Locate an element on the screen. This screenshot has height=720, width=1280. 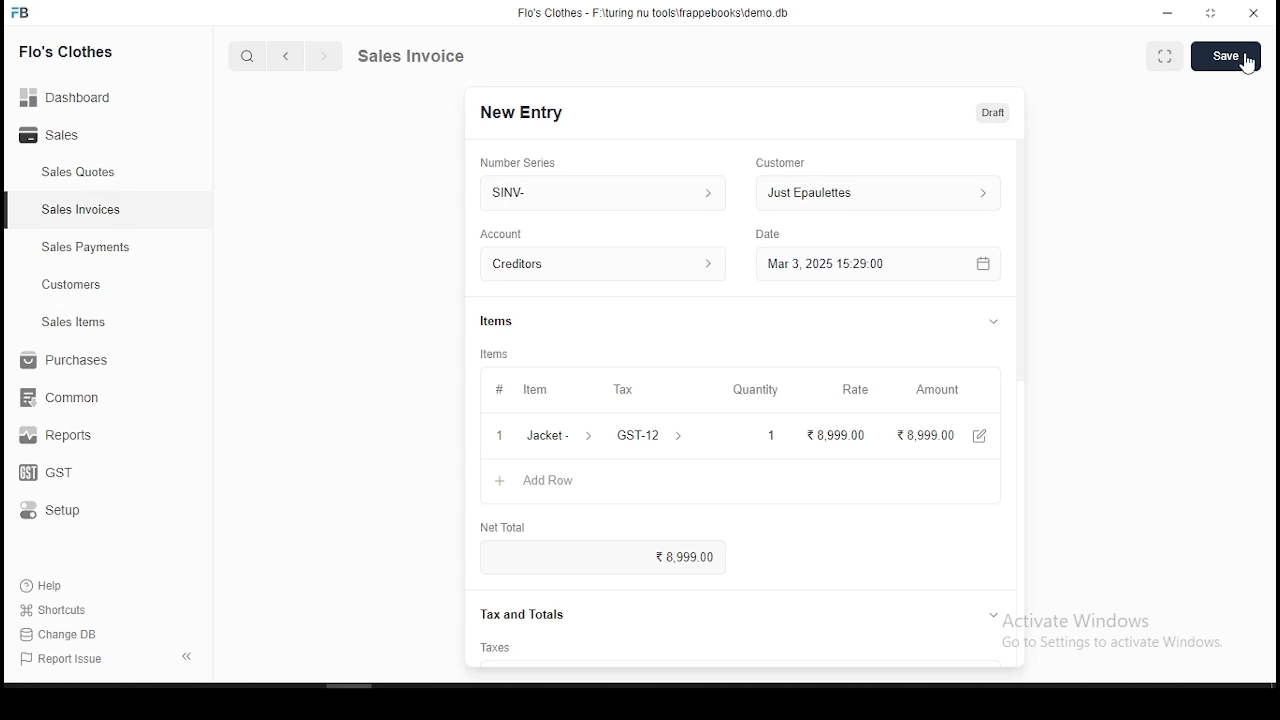
sales is located at coordinates (64, 135).